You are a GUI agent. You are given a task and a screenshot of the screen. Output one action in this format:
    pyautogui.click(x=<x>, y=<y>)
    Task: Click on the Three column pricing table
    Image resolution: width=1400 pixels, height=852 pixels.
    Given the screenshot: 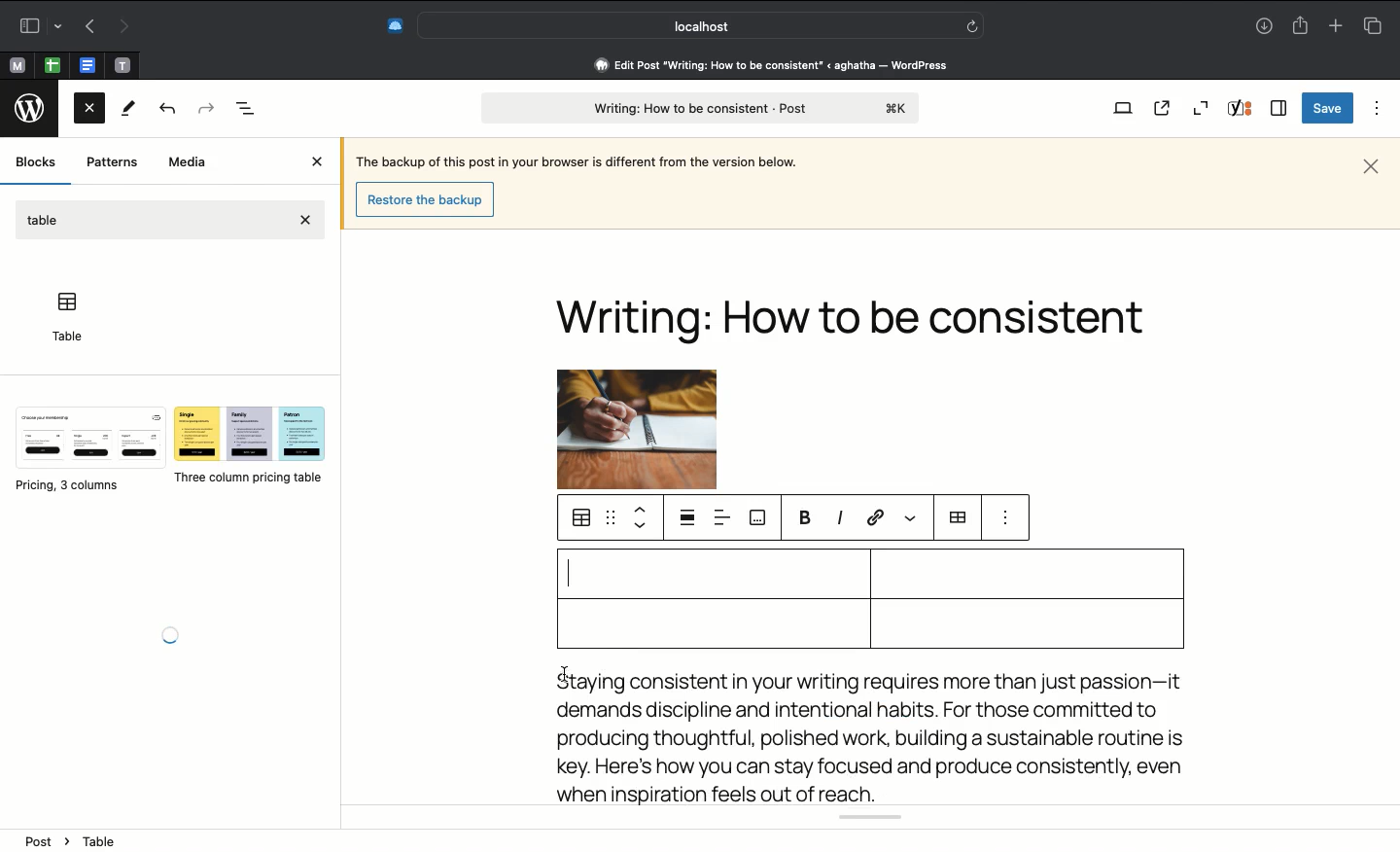 What is the action you would take?
    pyautogui.click(x=249, y=446)
    